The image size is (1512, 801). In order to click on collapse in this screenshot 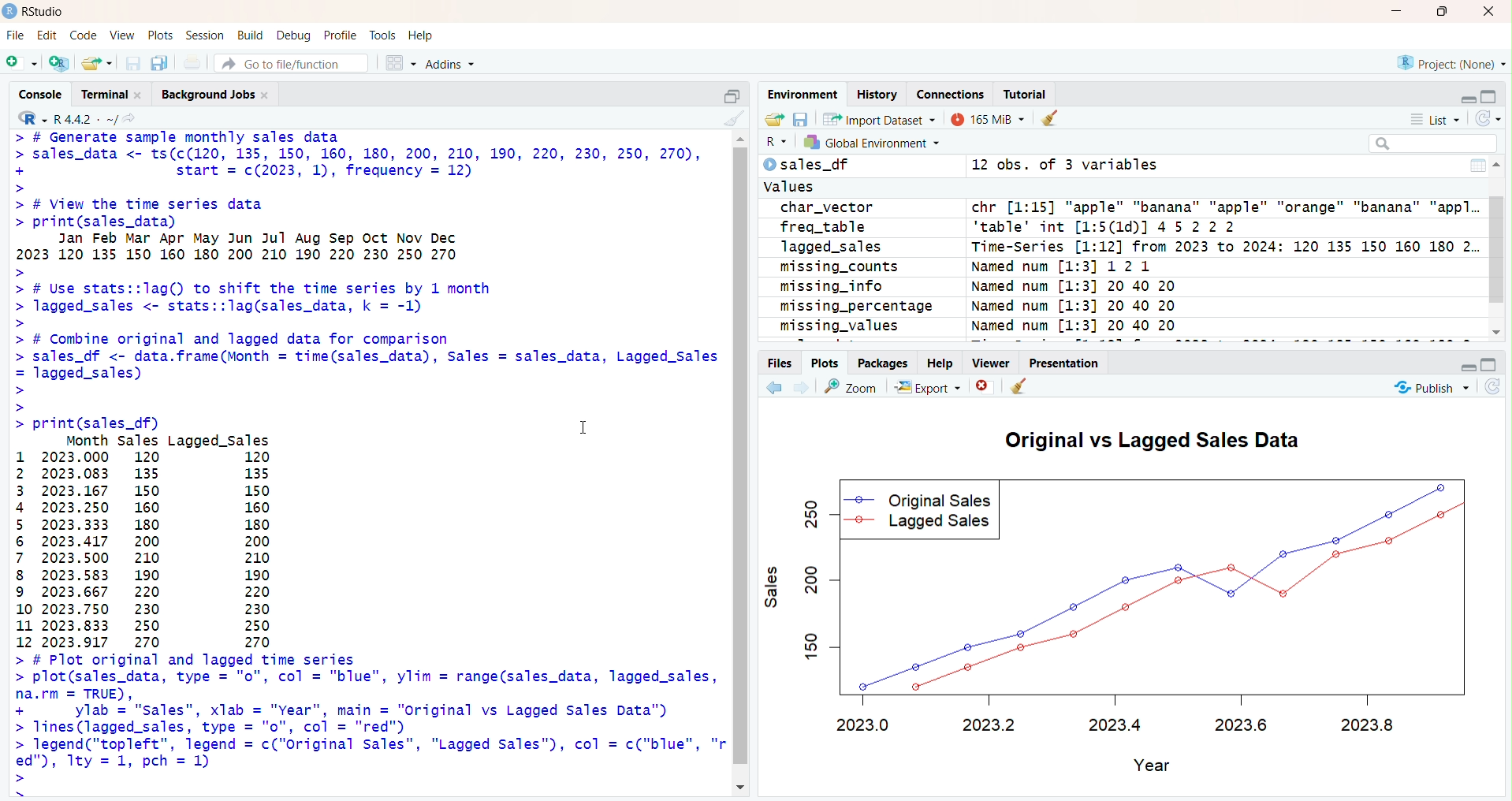, I will do `click(733, 95)`.